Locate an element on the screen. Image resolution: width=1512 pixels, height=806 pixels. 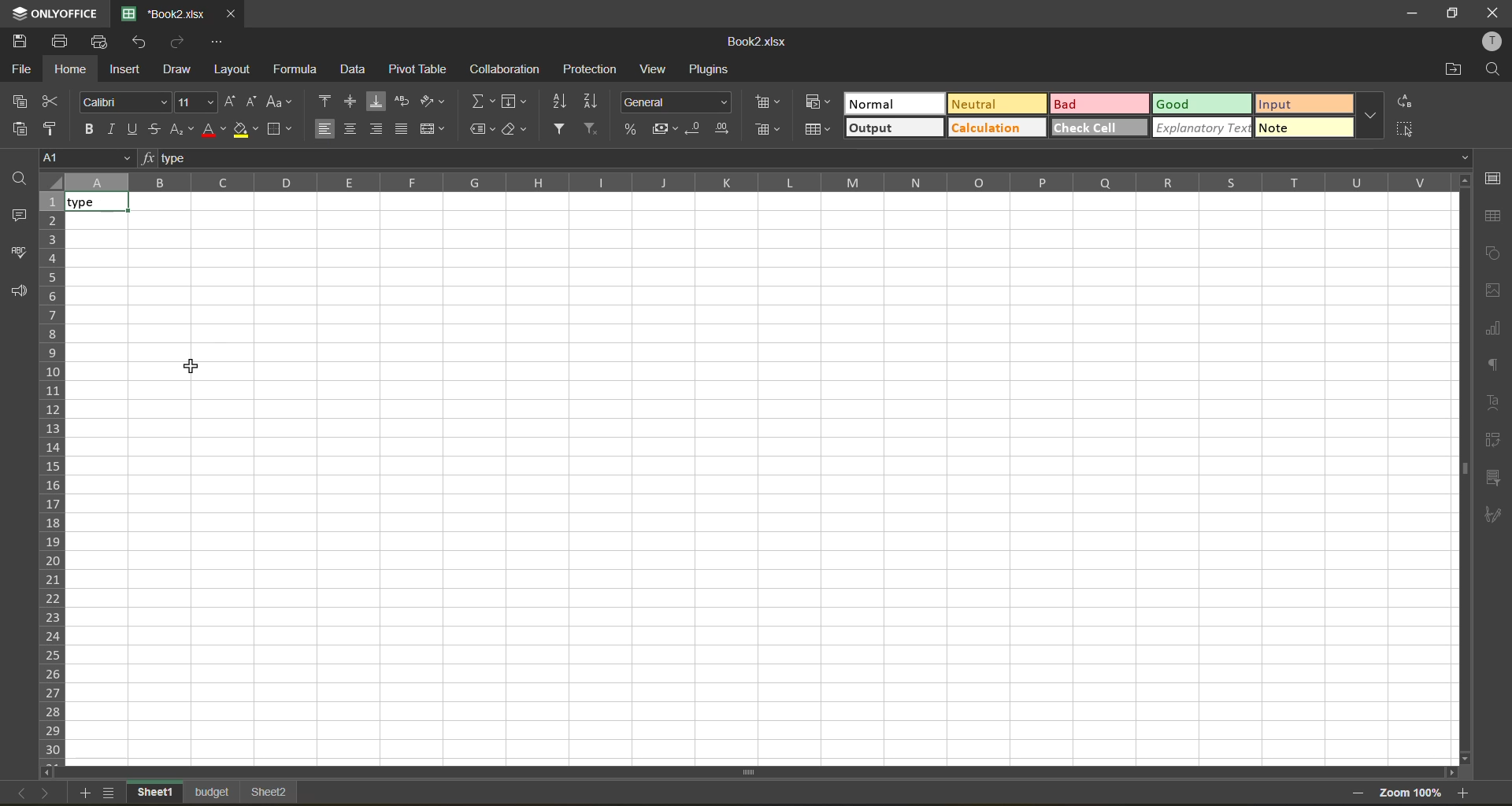
feedback is located at coordinates (17, 294).